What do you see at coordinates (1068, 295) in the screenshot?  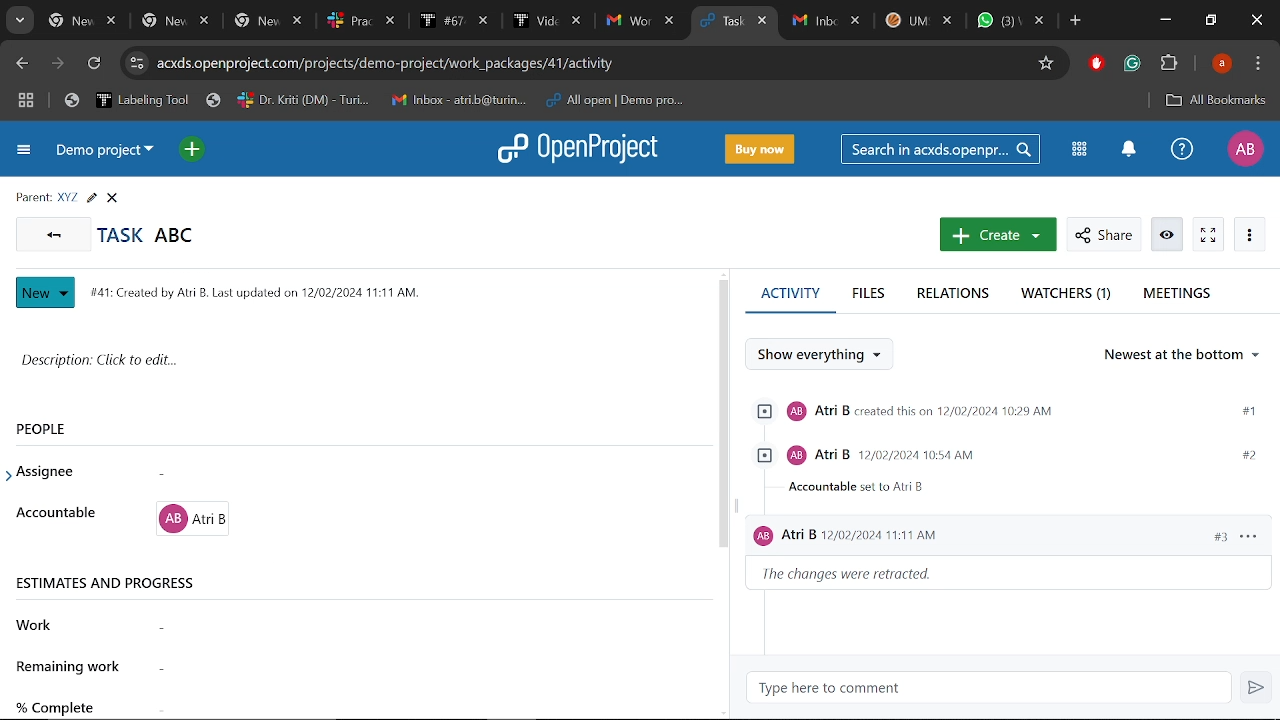 I see `Watchers` at bounding box center [1068, 295].